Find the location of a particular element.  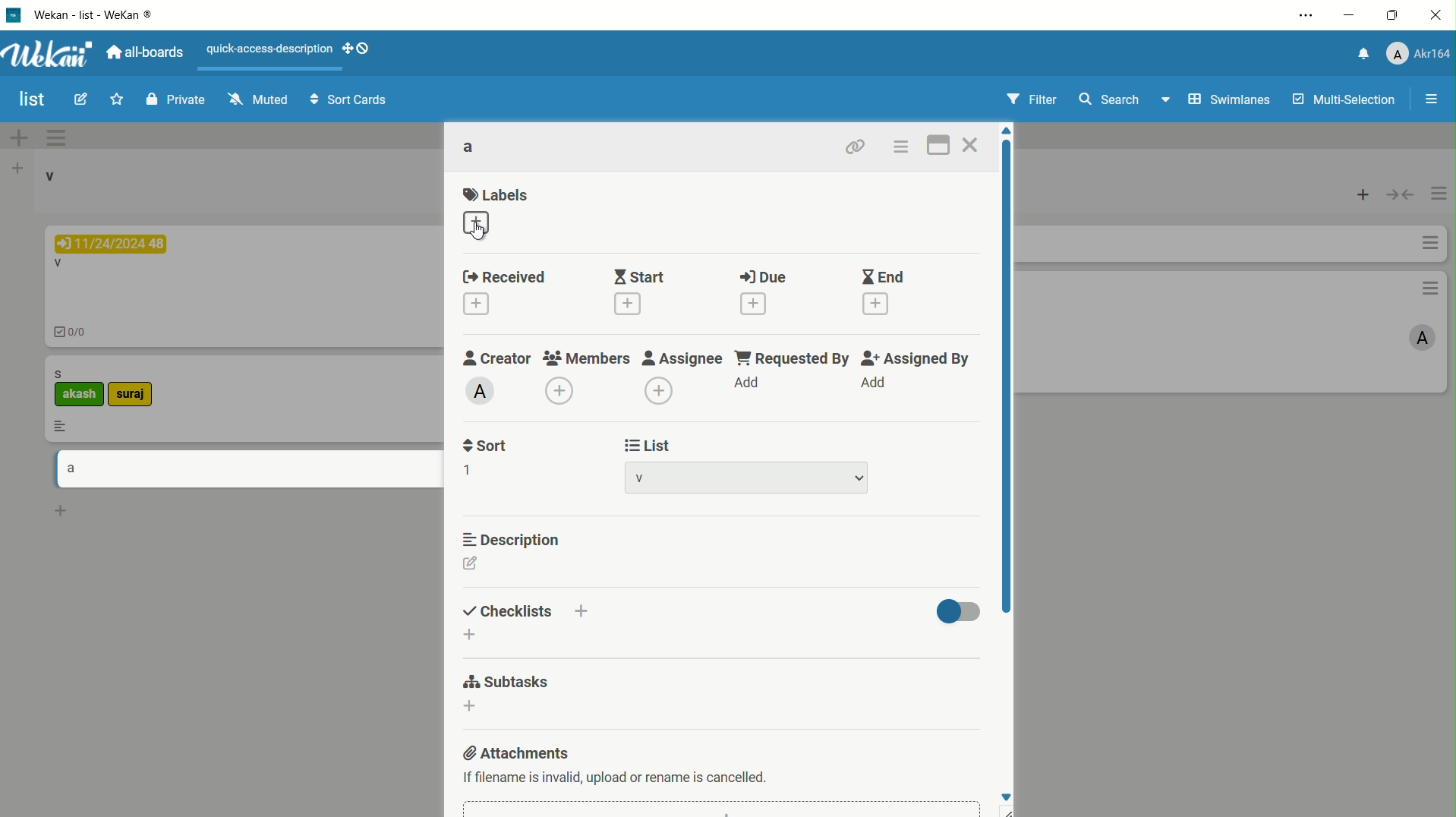

options is located at coordinates (55, 138).